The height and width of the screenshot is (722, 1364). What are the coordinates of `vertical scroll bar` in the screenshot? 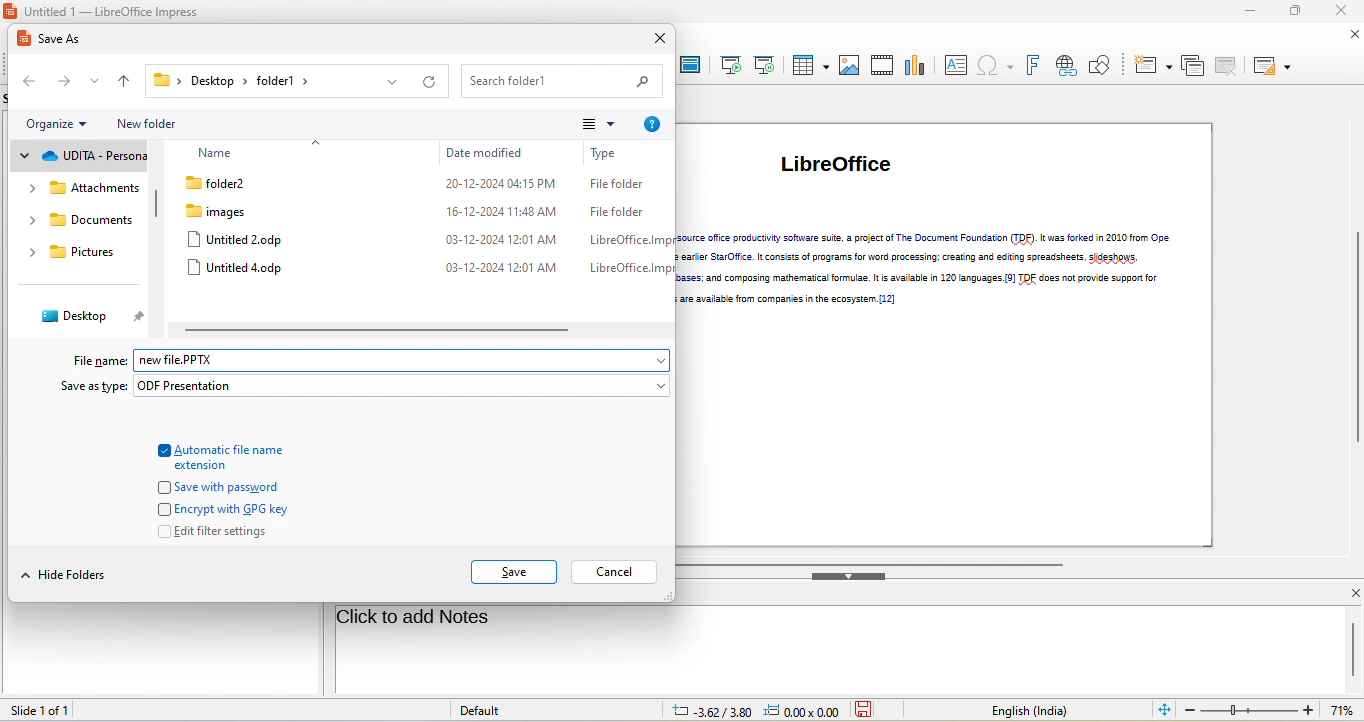 It's located at (1355, 337).